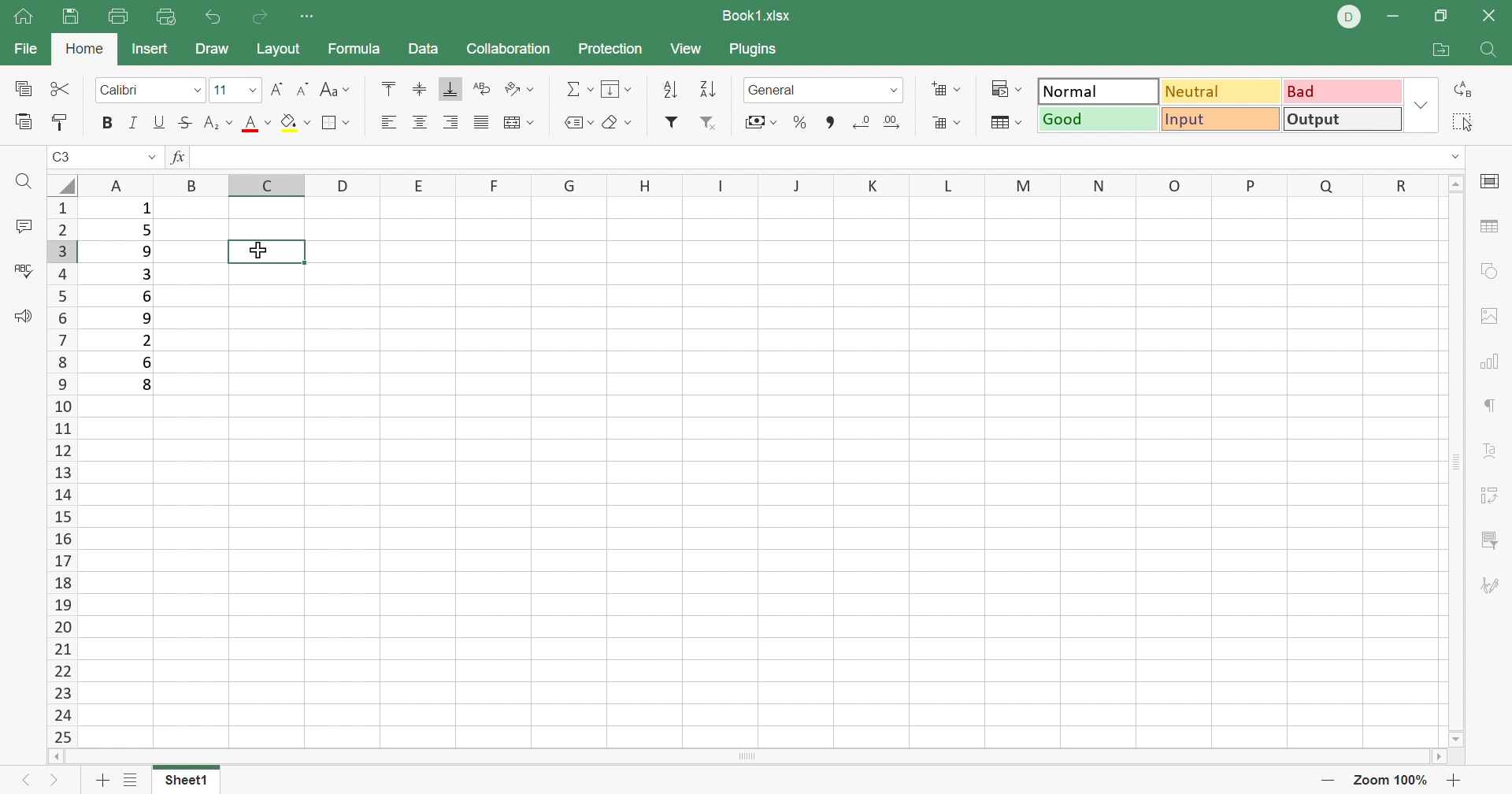 The image size is (1512, 794). What do you see at coordinates (1008, 88) in the screenshot?
I see `Conditional formatting` at bounding box center [1008, 88].